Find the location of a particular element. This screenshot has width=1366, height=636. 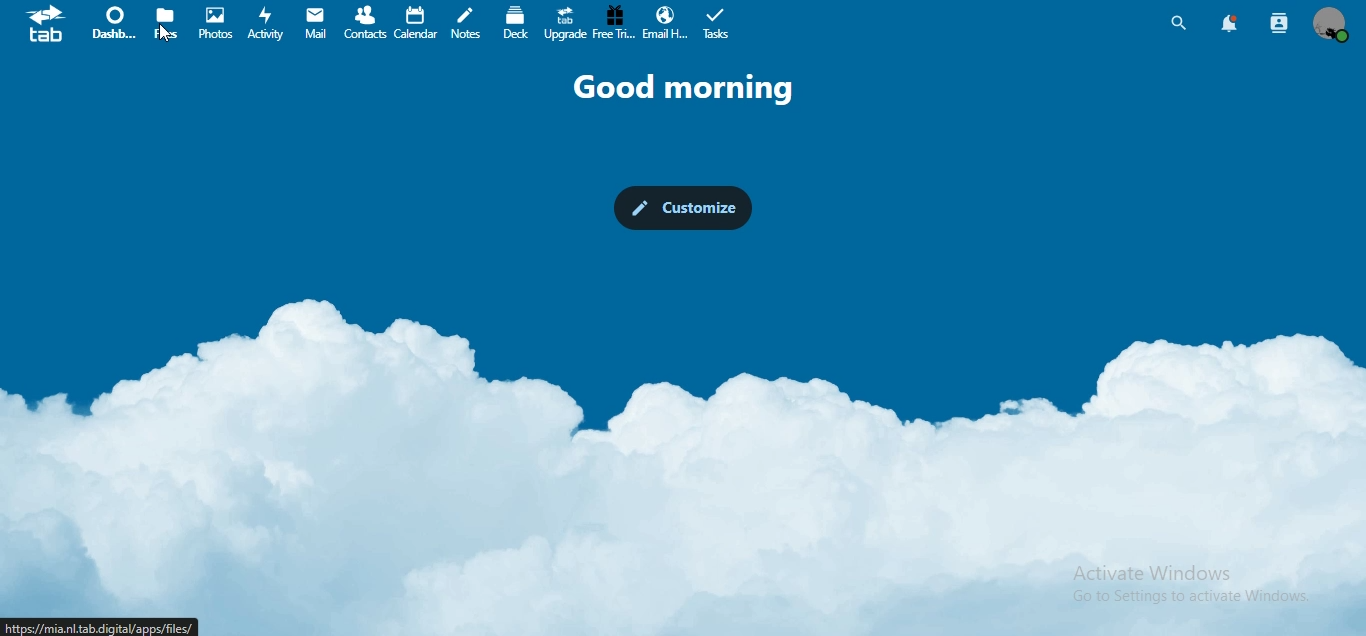

search contacts is located at coordinates (1280, 22).